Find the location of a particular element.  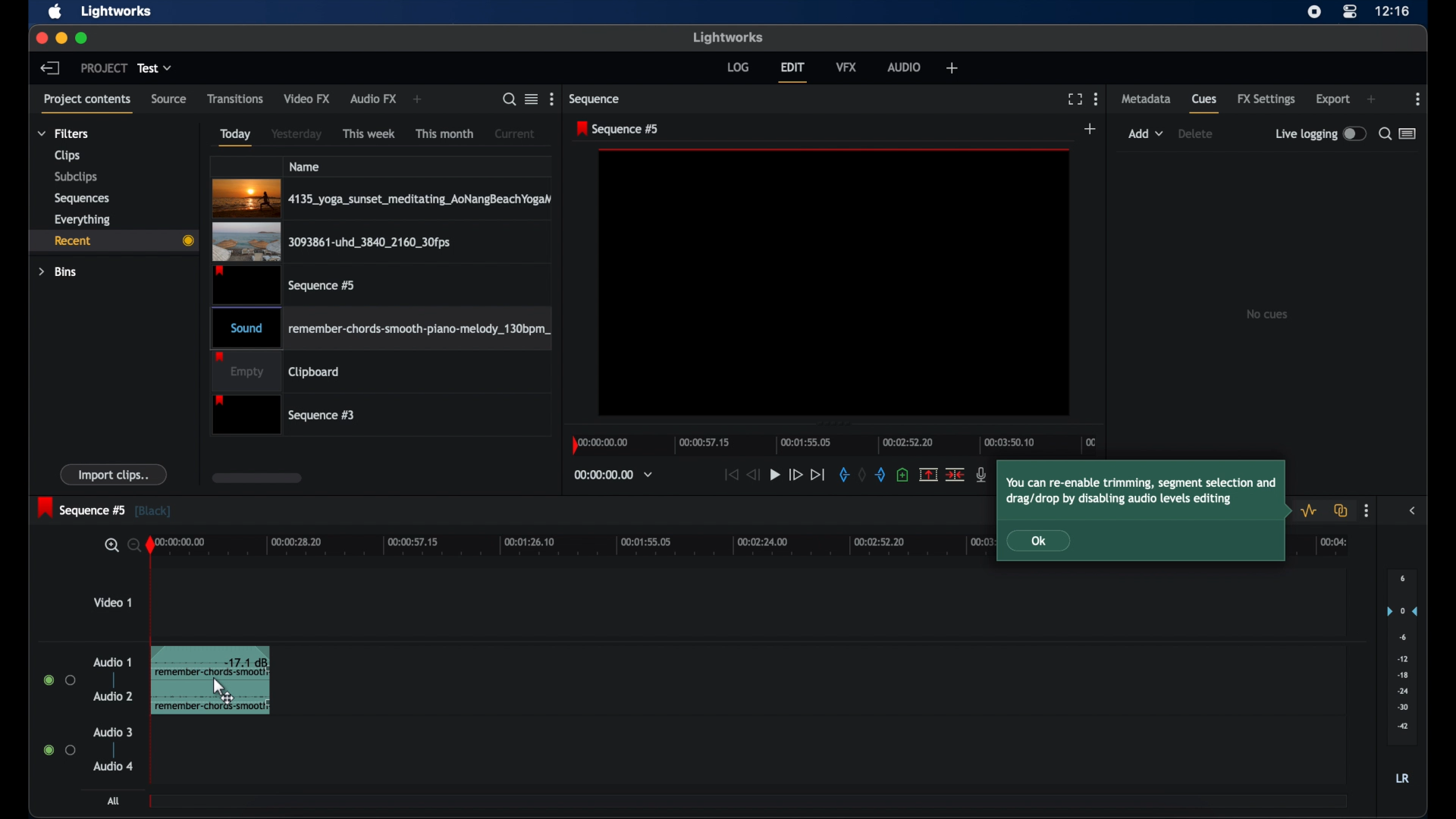

audio clip is located at coordinates (171, 682).